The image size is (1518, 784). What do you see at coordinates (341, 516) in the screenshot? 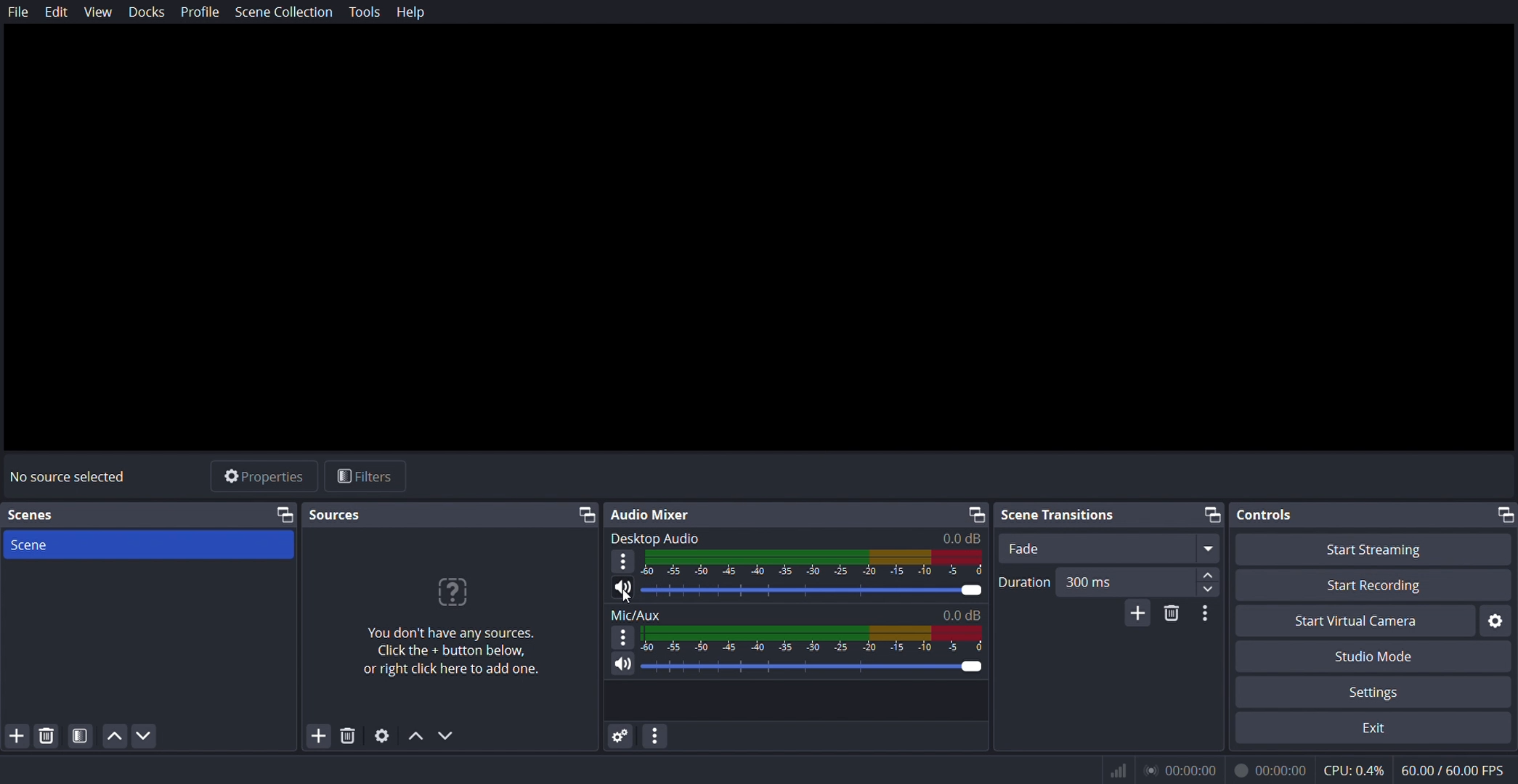
I see `sources` at bounding box center [341, 516].